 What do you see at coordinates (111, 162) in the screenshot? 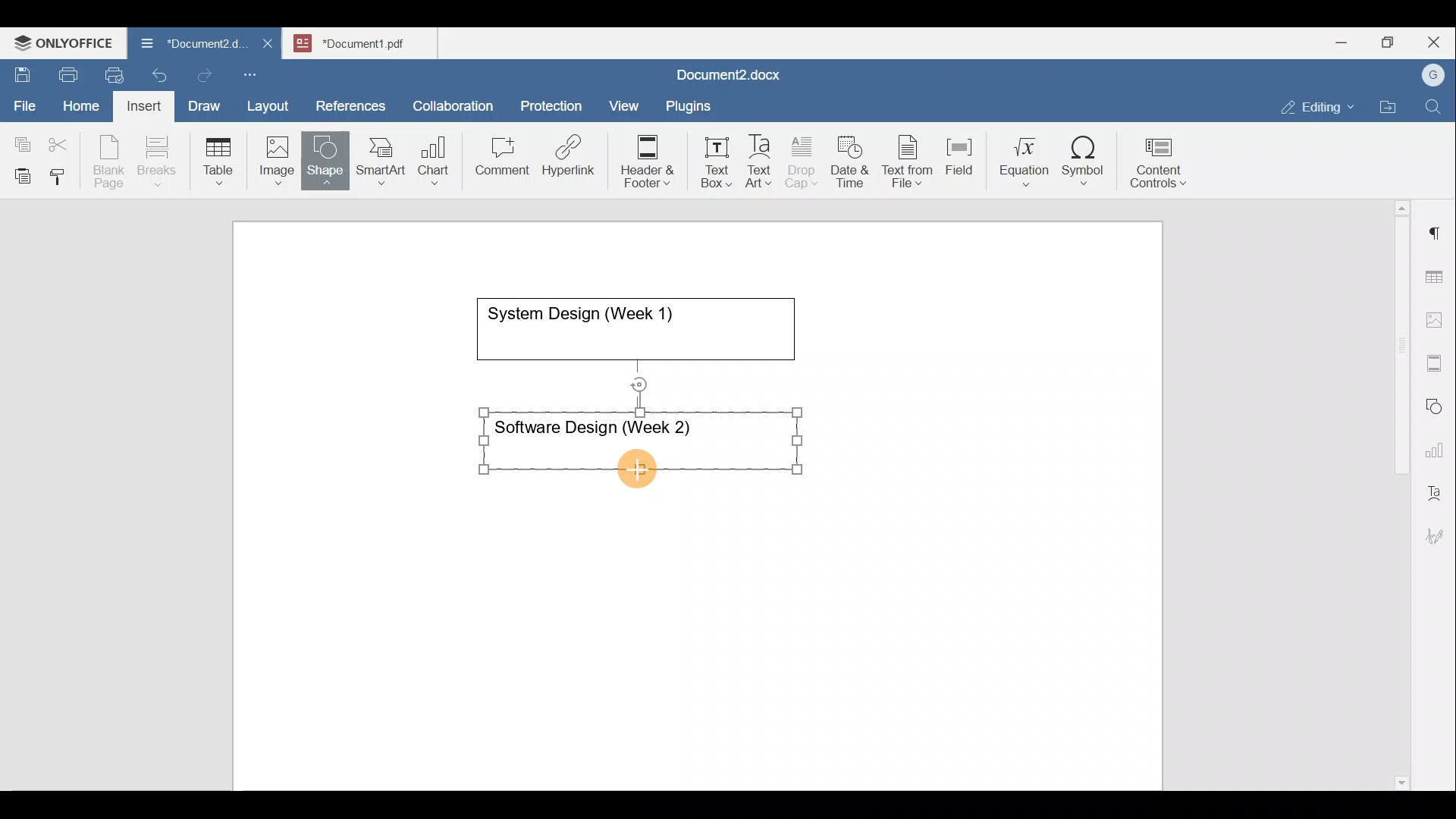
I see `Blank page` at bounding box center [111, 162].